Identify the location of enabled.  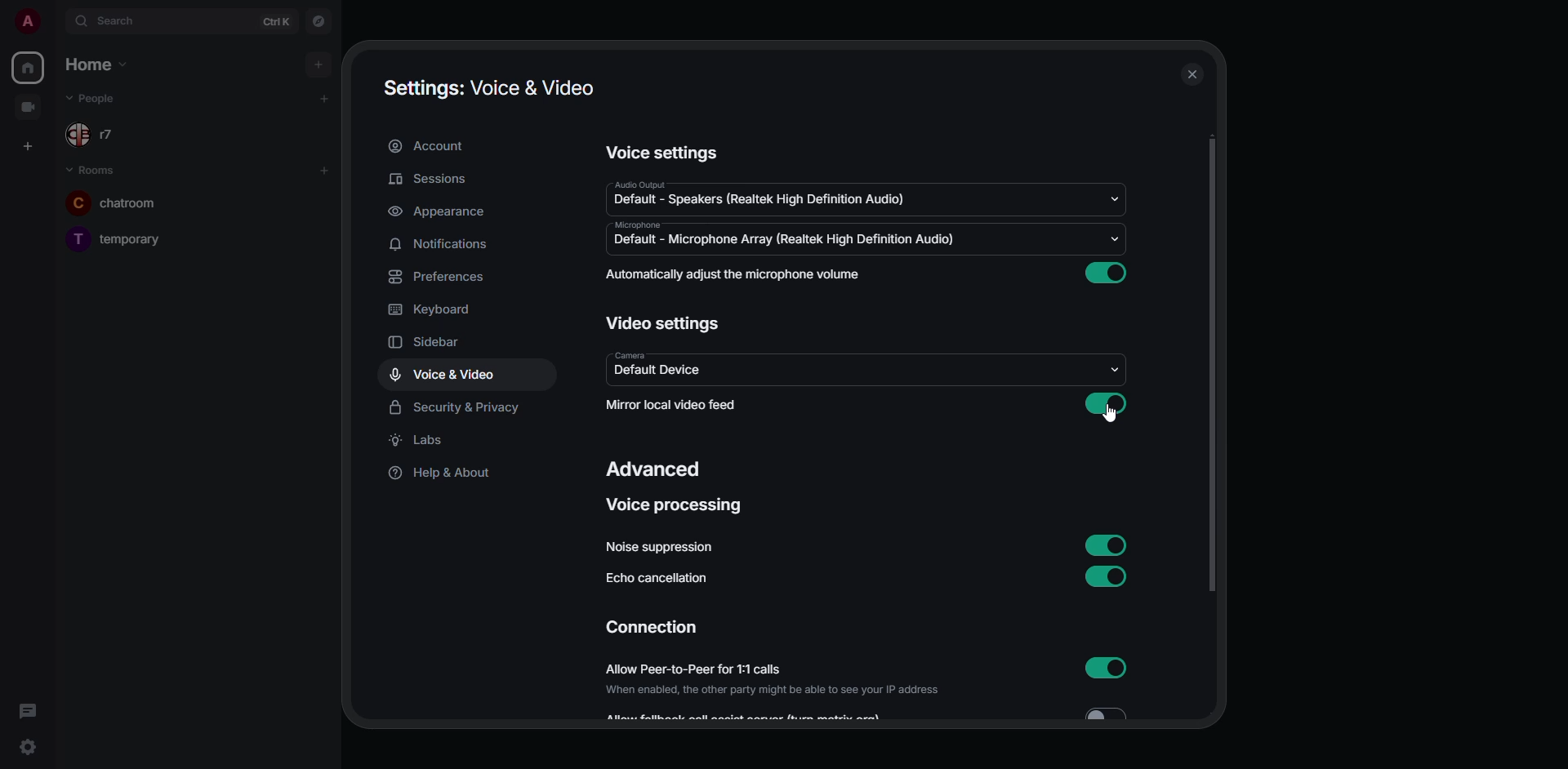
(1108, 272).